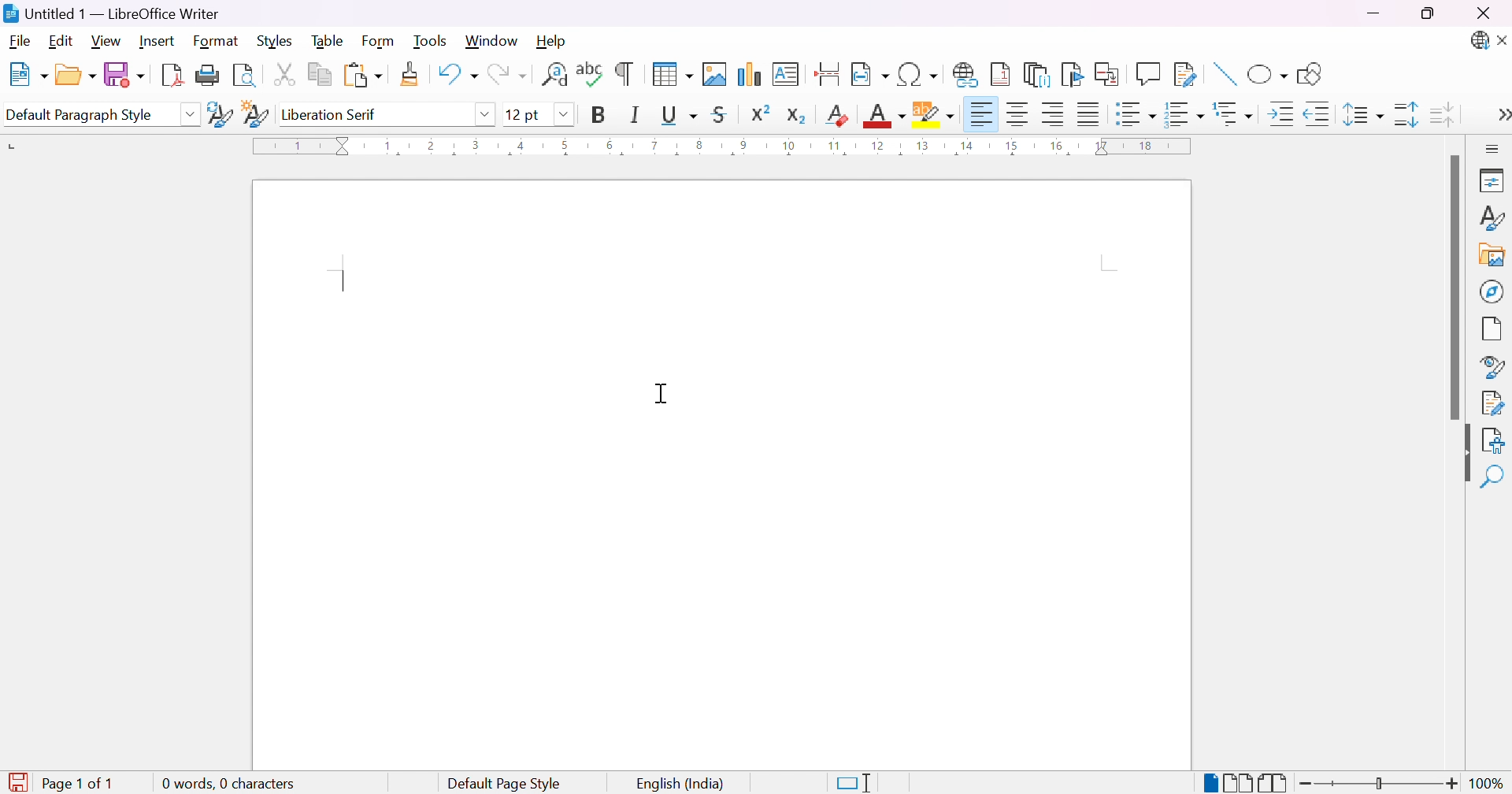 The width and height of the screenshot is (1512, 794). What do you see at coordinates (258, 116) in the screenshot?
I see `New style from selection` at bounding box center [258, 116].